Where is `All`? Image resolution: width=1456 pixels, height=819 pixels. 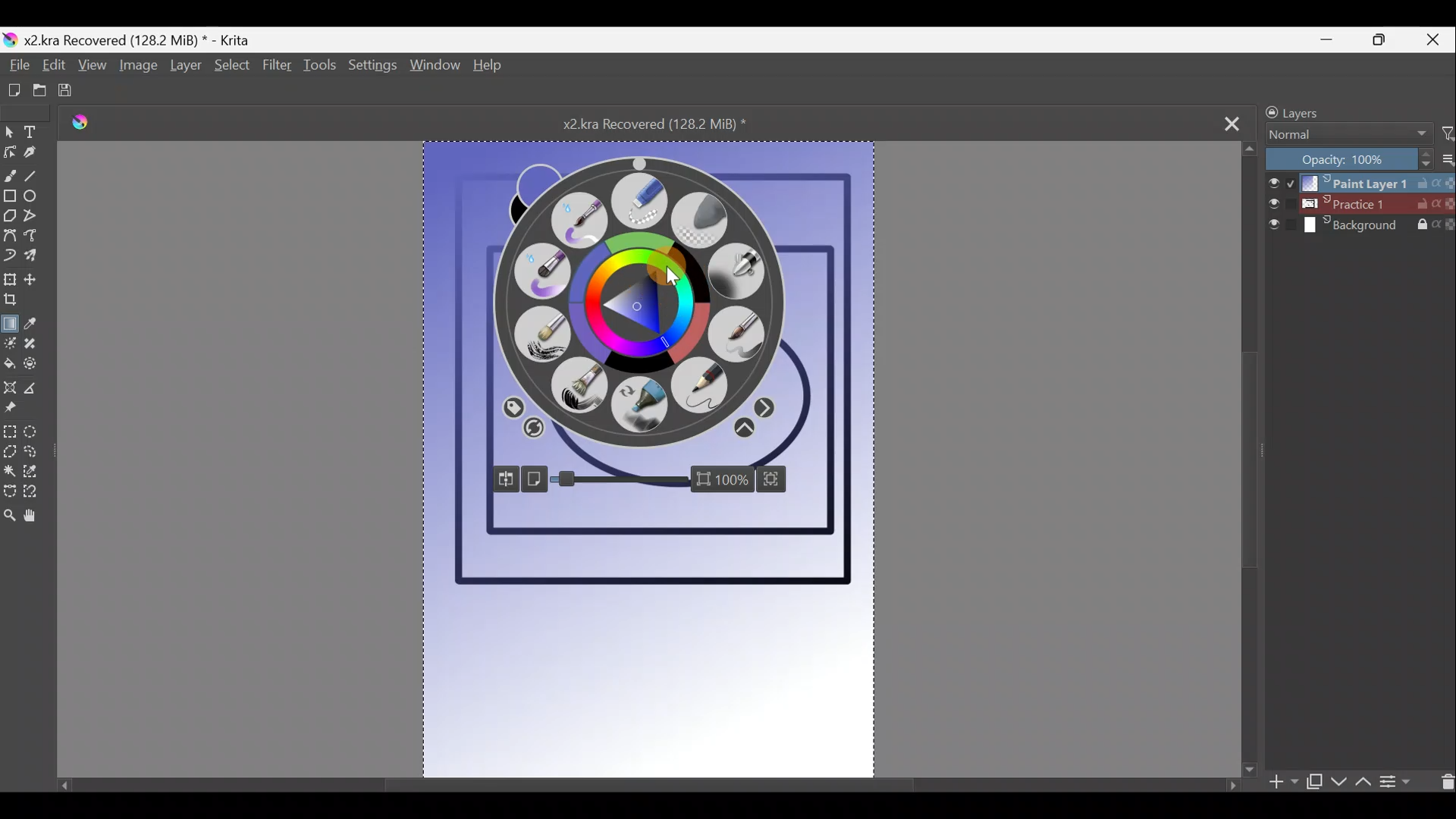 All is located at coordinates (511, 406).